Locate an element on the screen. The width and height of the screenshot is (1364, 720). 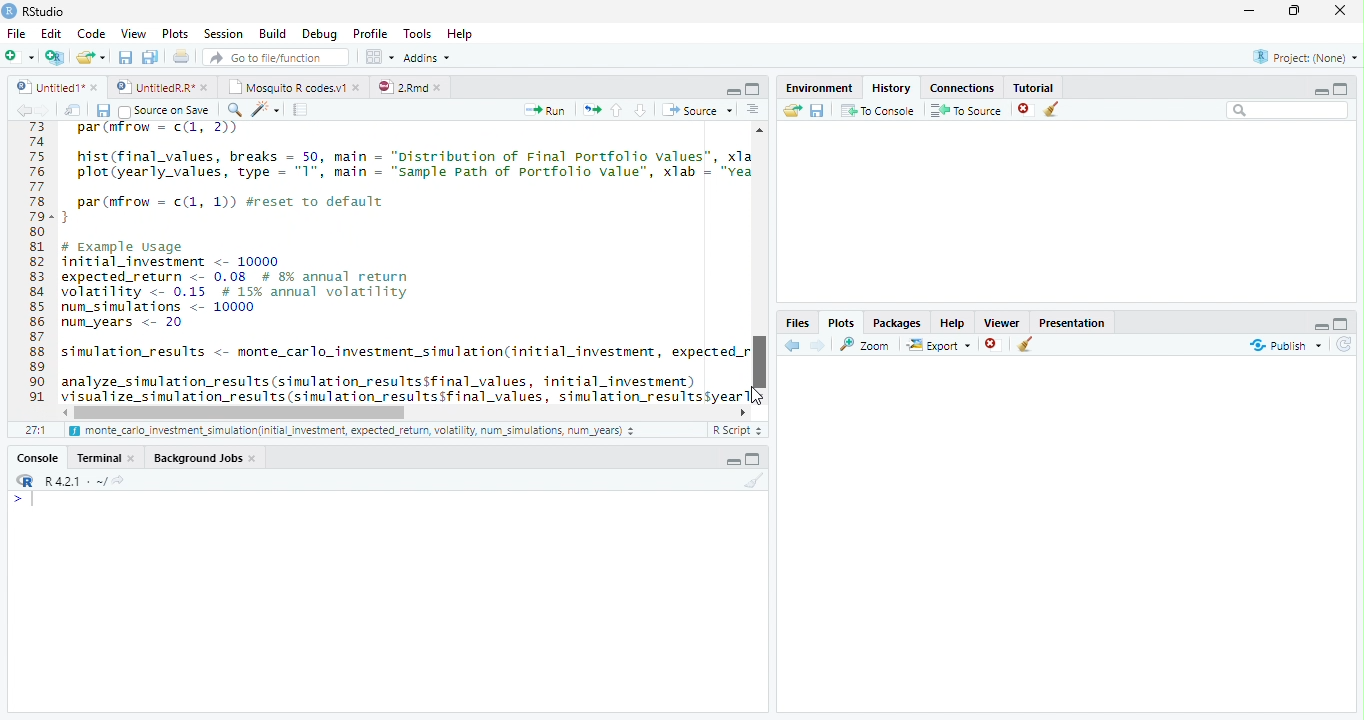
Help is located at coordinates (952, 322).